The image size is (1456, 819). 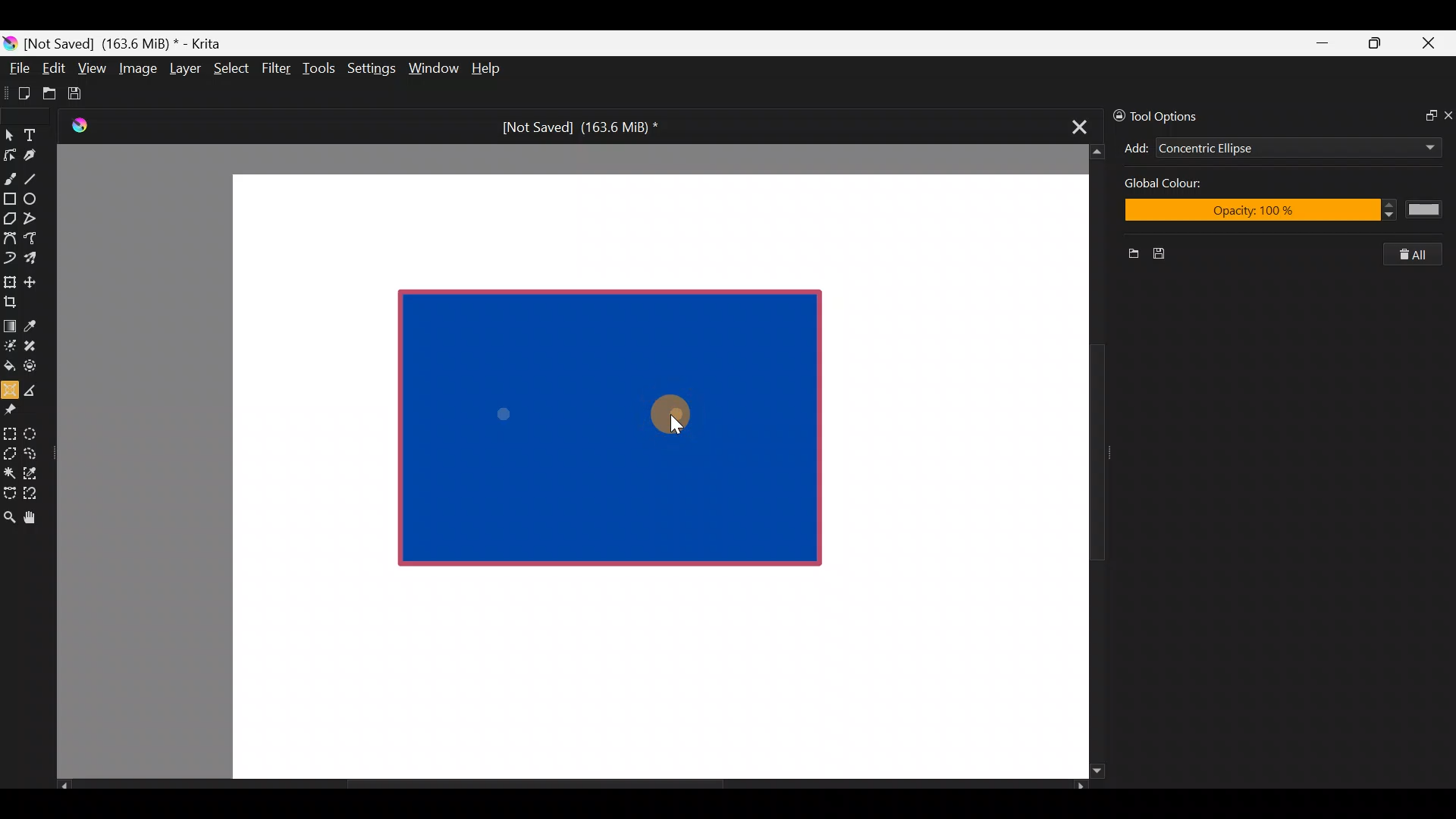 I want to click on Cursor, so click(x=673, y=411).